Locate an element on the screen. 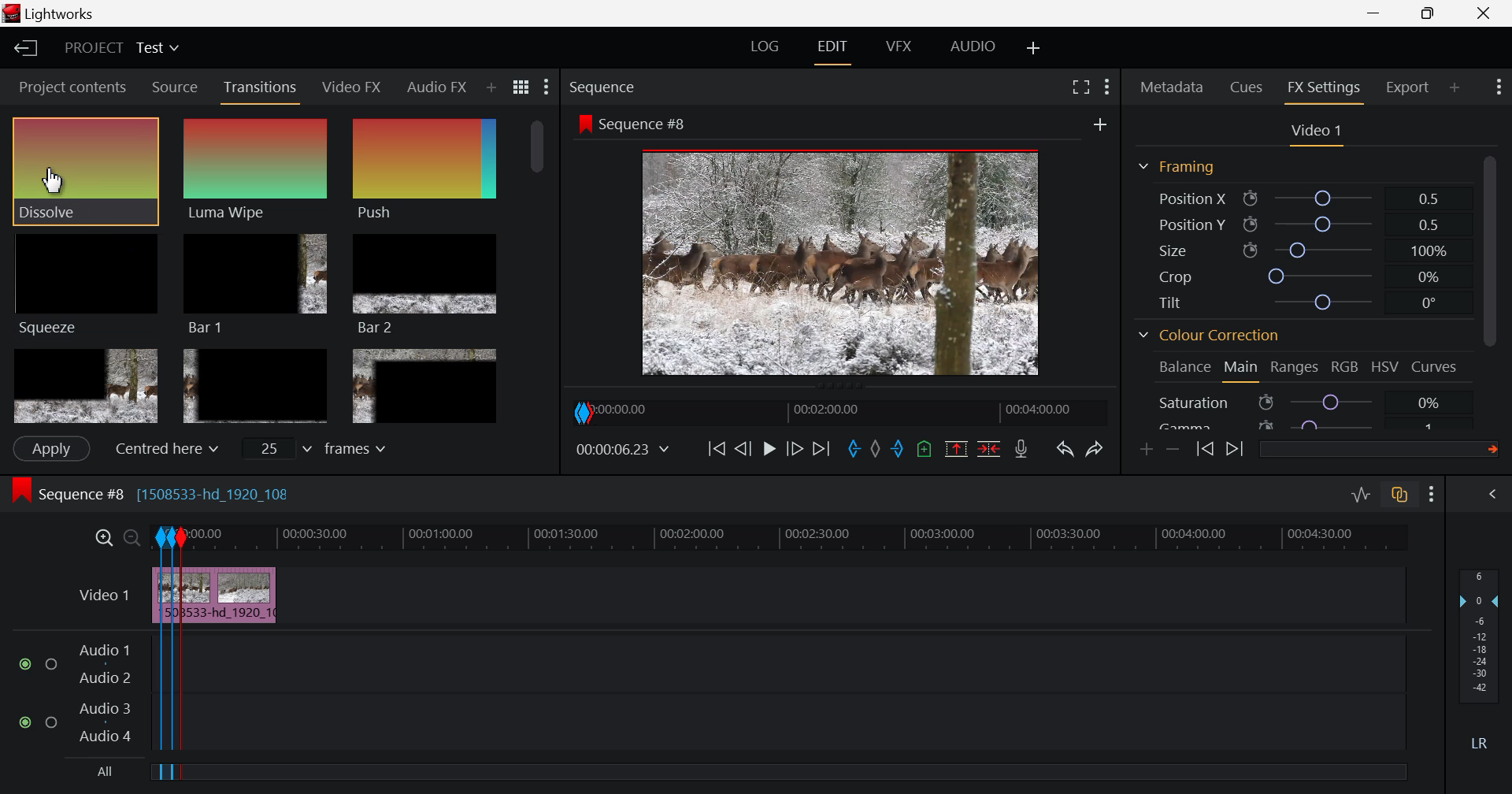  Add panel is located at coordinates (1455, 90).